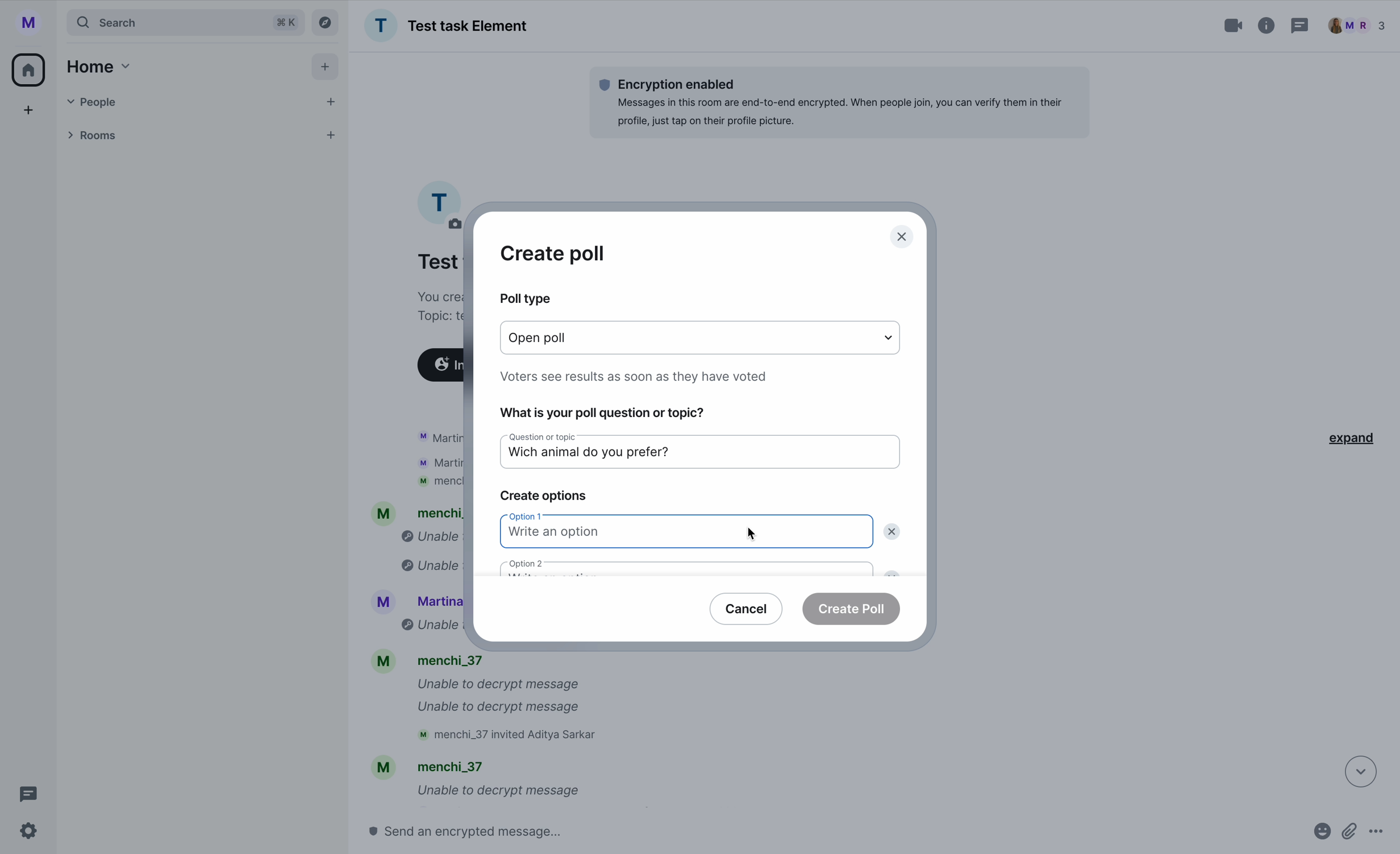 The height and width of the screenshot is (854, 1400). I want to click on close pop-up, so click(903, 238).